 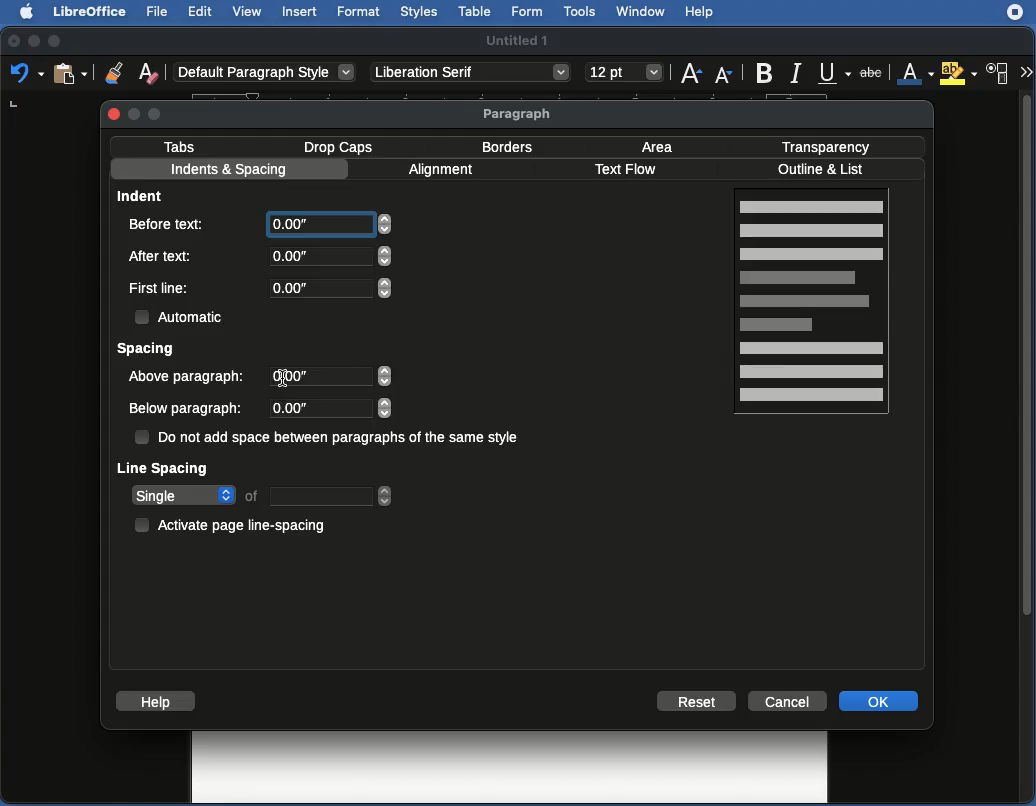 I want to click on Underline, so click(x=834, y=73).